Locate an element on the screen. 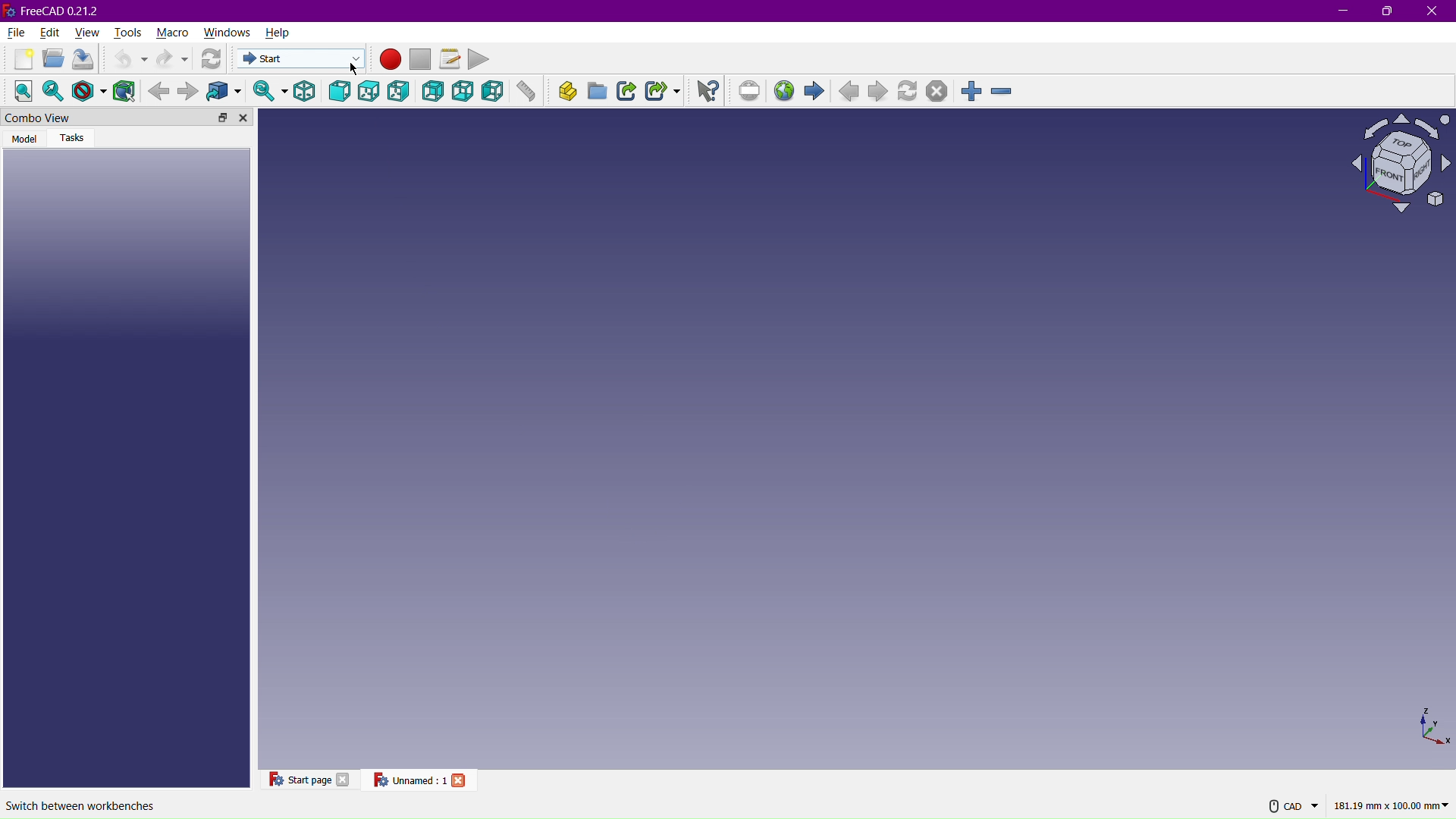  Zoom in is located at coordinates (970, 91).